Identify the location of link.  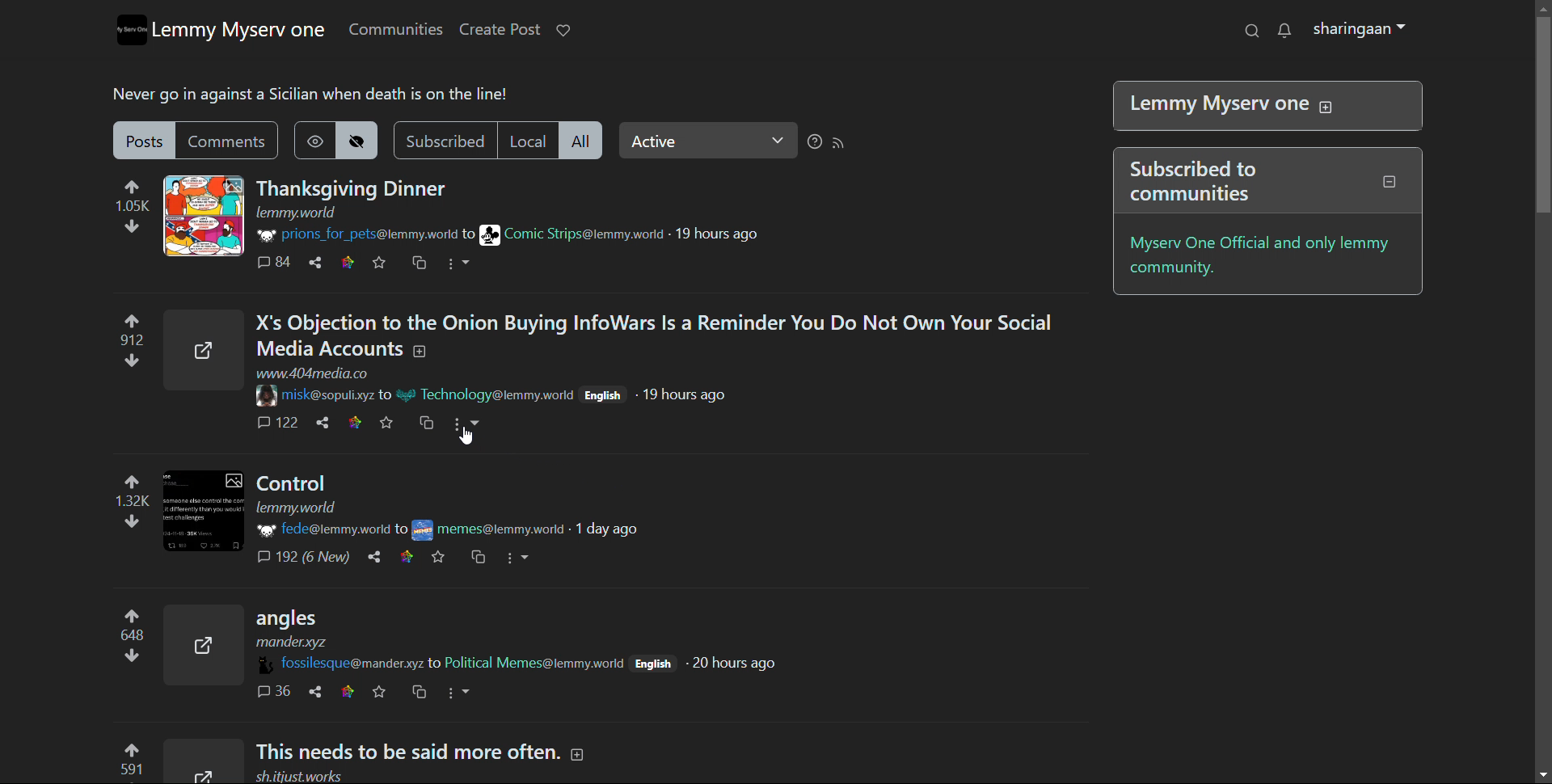
(348, 262).